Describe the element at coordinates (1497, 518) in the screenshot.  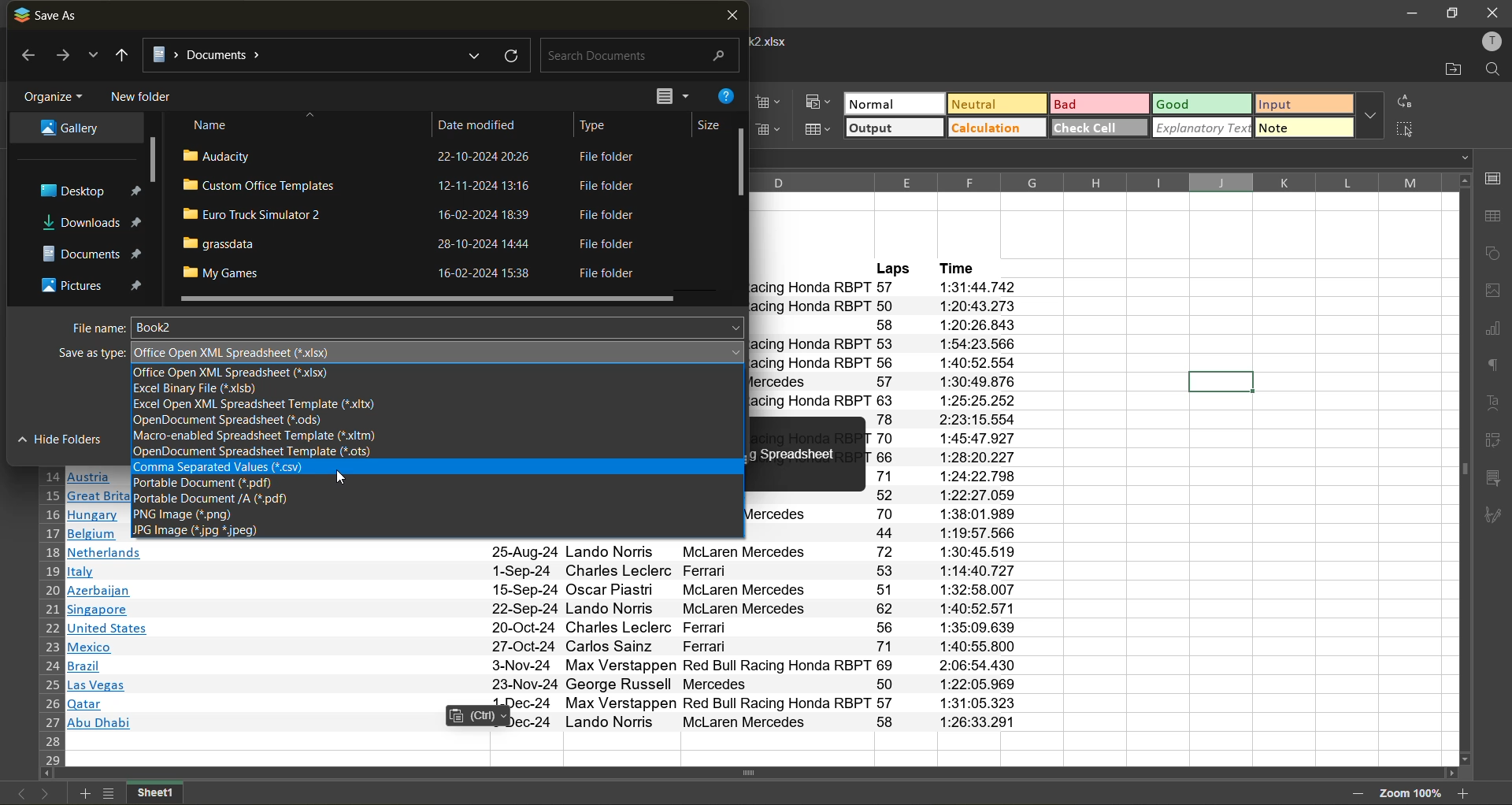
I see `signature` at that location.